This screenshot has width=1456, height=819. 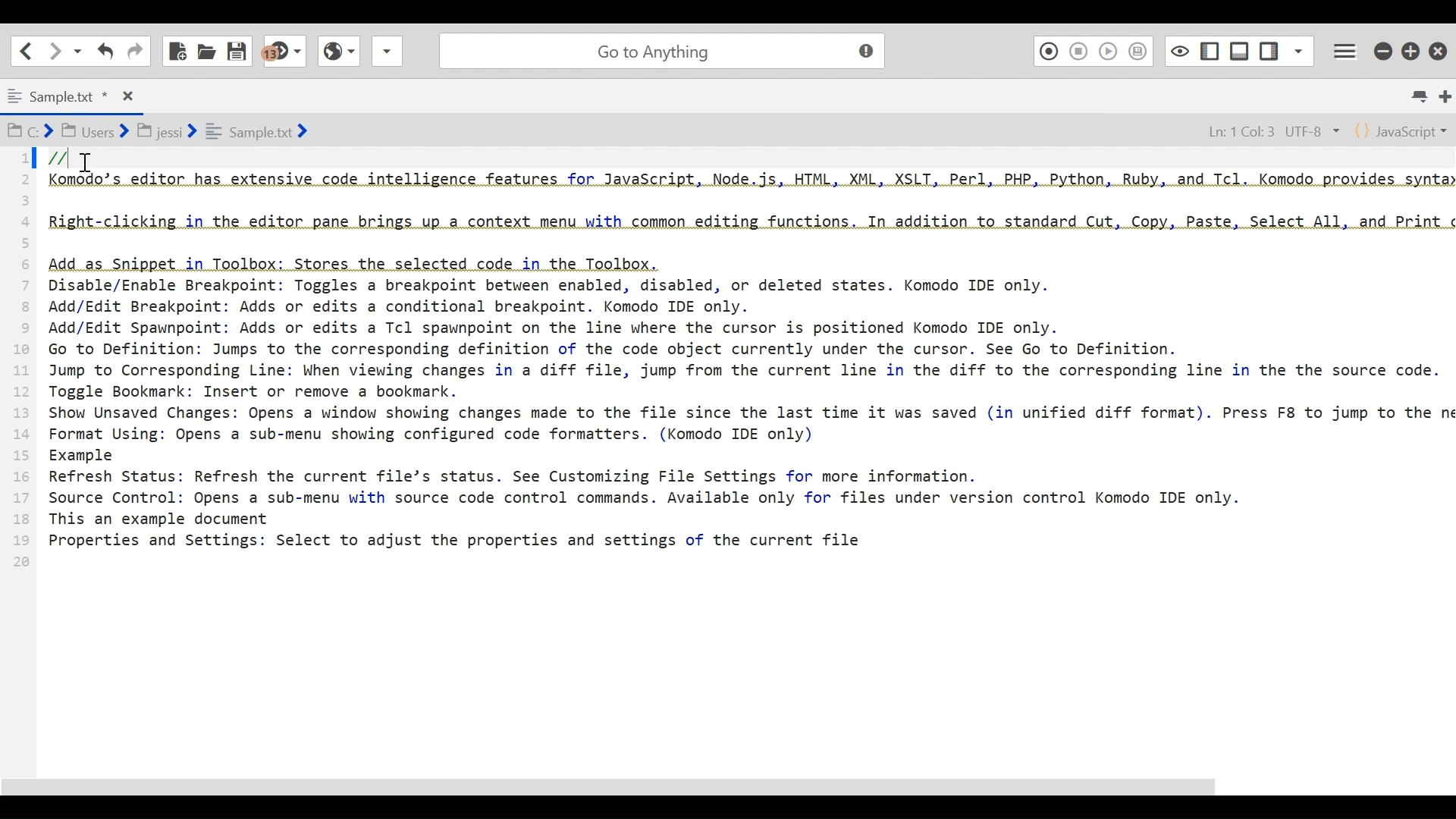 I want to click on Application menu, so click(x=1348, y=49).